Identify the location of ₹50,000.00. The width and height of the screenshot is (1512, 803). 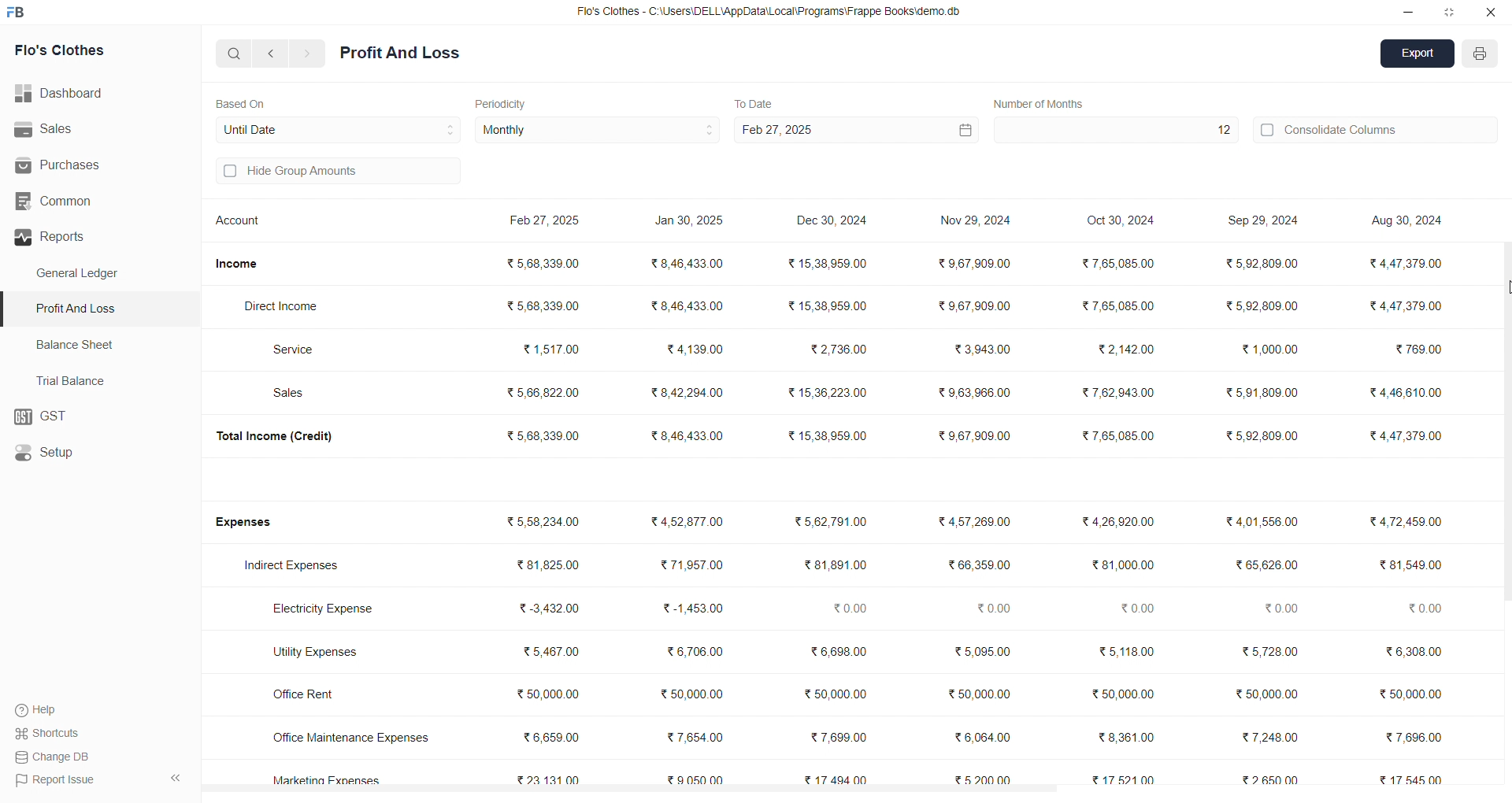
(840, 695).